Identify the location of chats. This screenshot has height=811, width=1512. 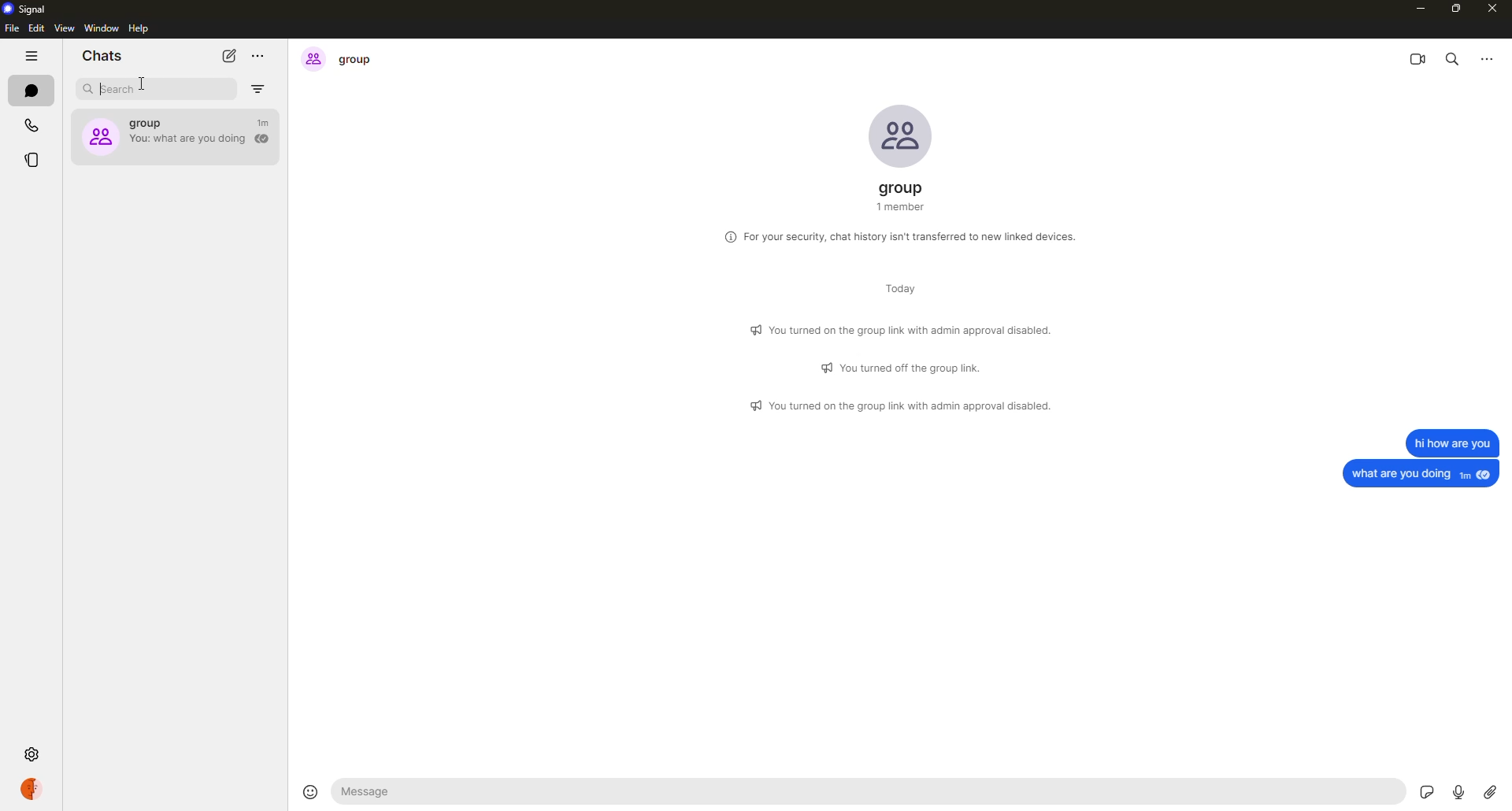
(101, 57).